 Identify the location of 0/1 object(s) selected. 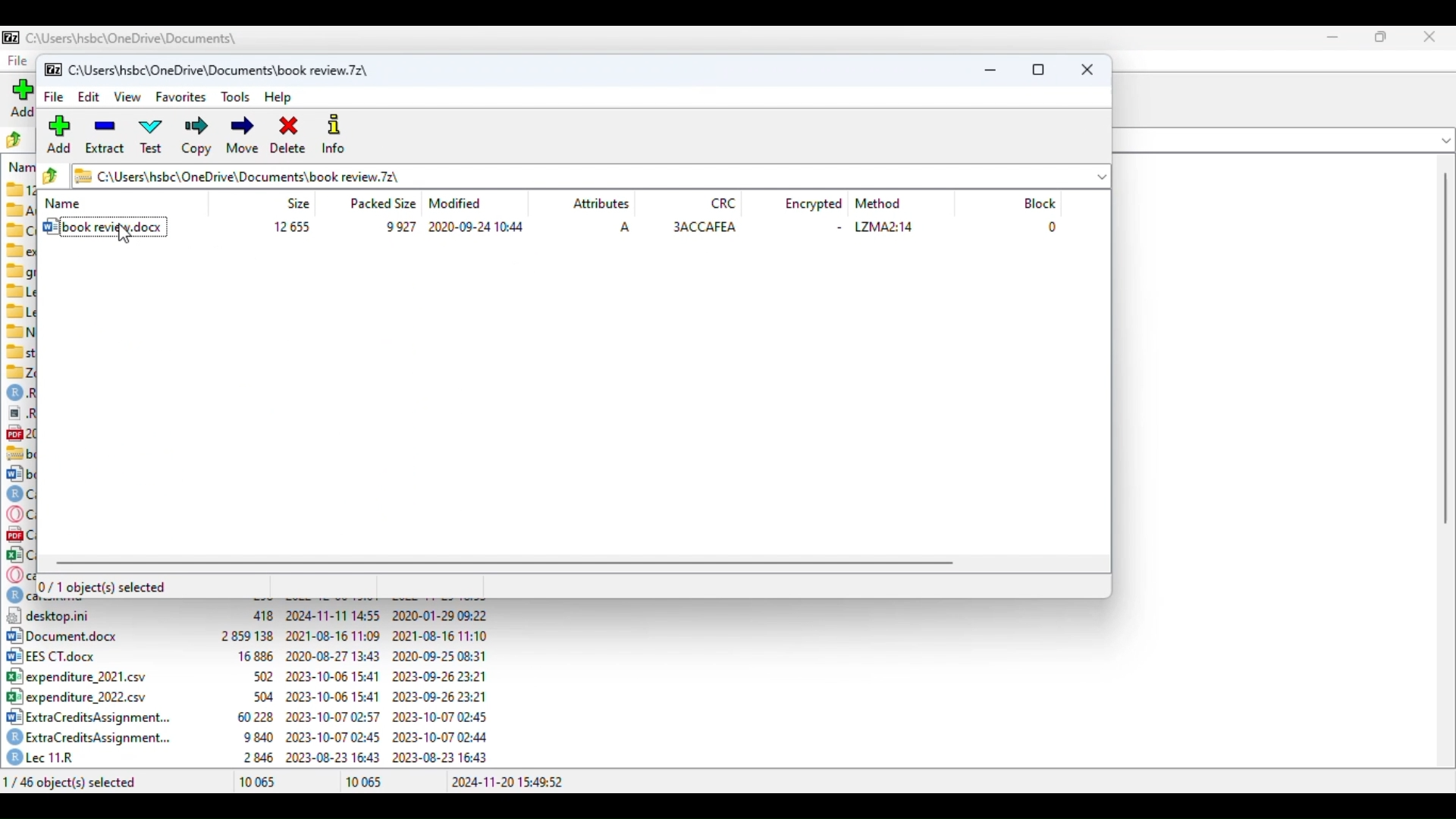
(102, 588).